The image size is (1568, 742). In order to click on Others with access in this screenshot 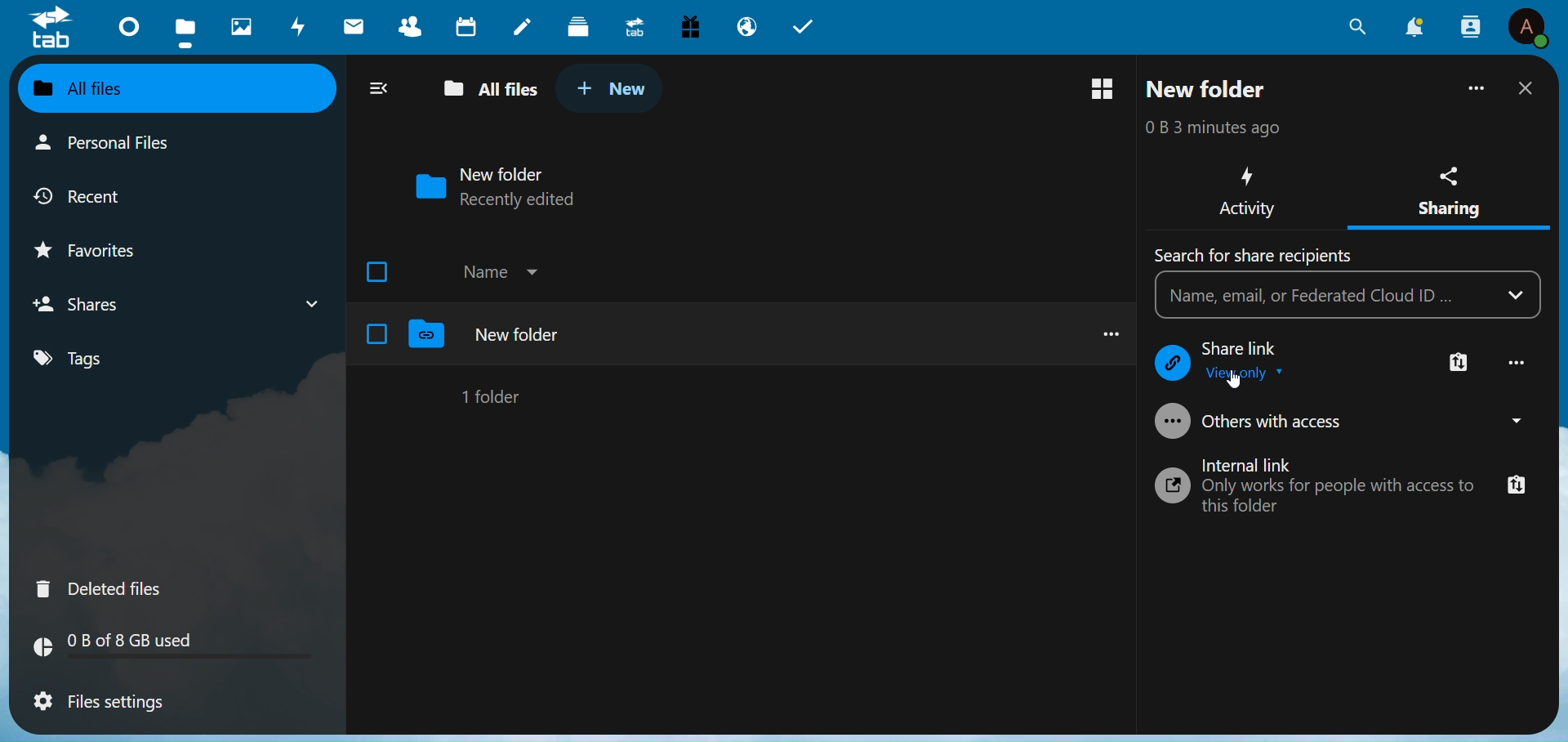, I will do `click(1281, 422)`.